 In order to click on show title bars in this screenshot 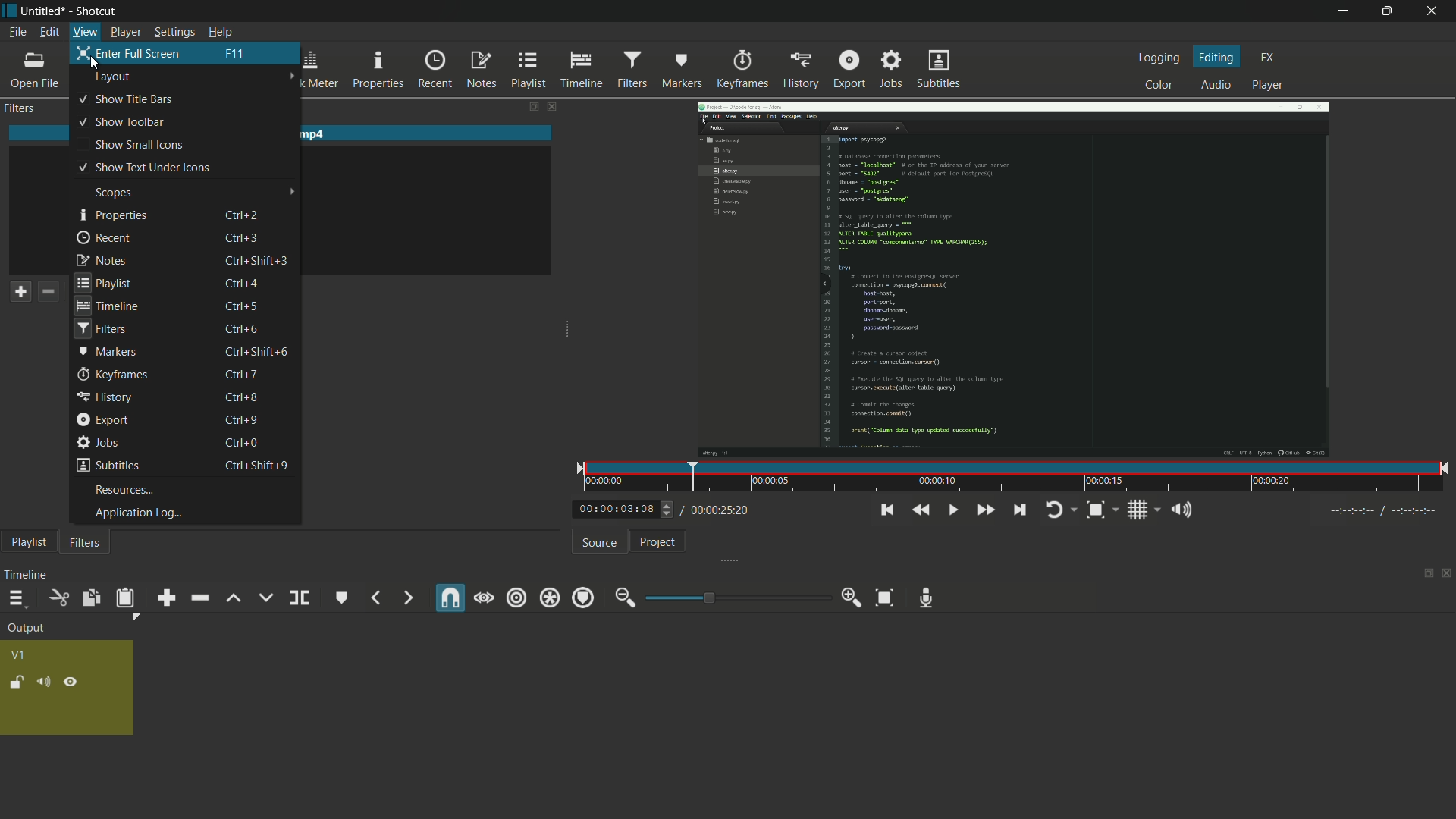, I will do `click(126, 99)`.